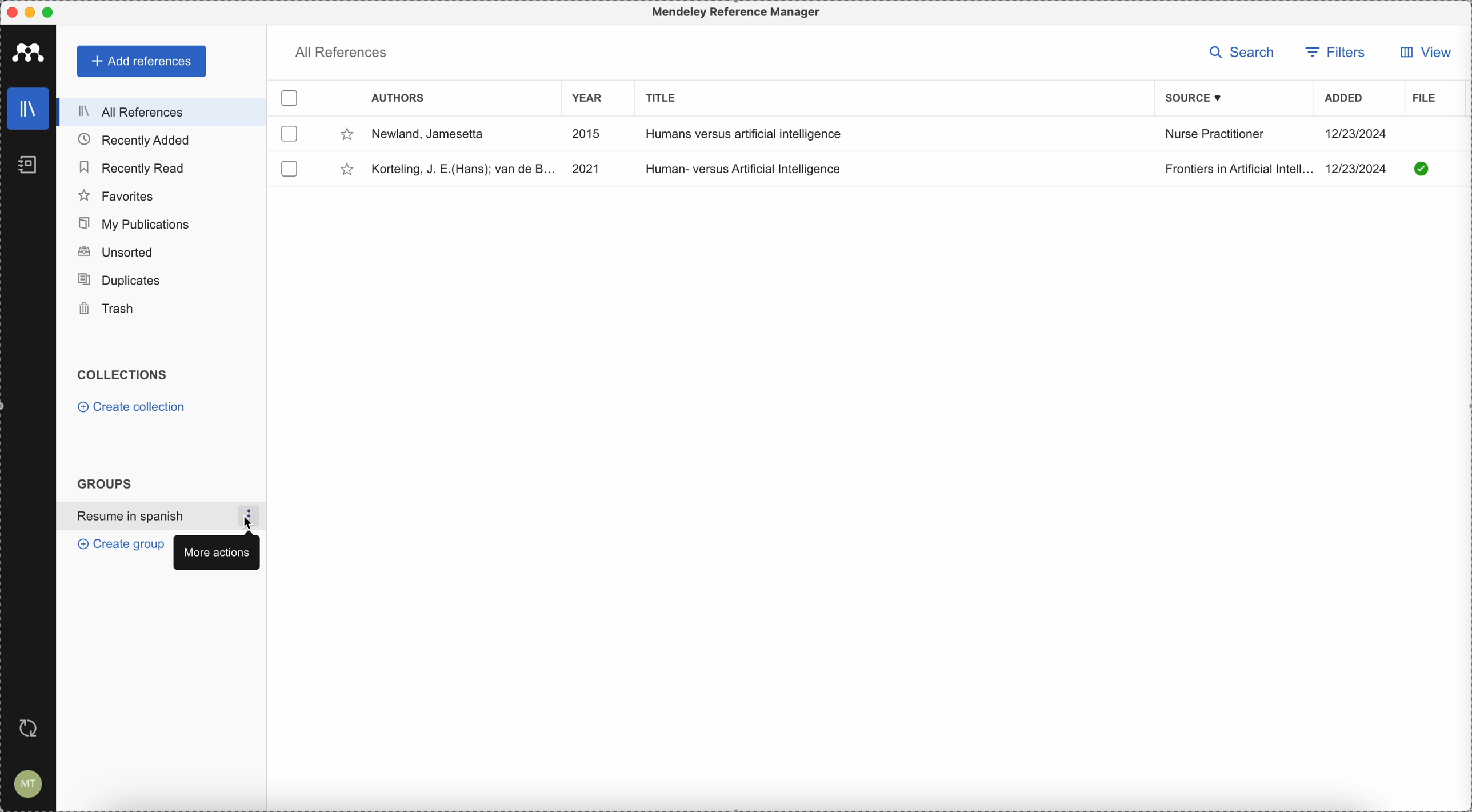 This screenshot has width=1472, height=812. I want to click on file, so click(1422, 98).